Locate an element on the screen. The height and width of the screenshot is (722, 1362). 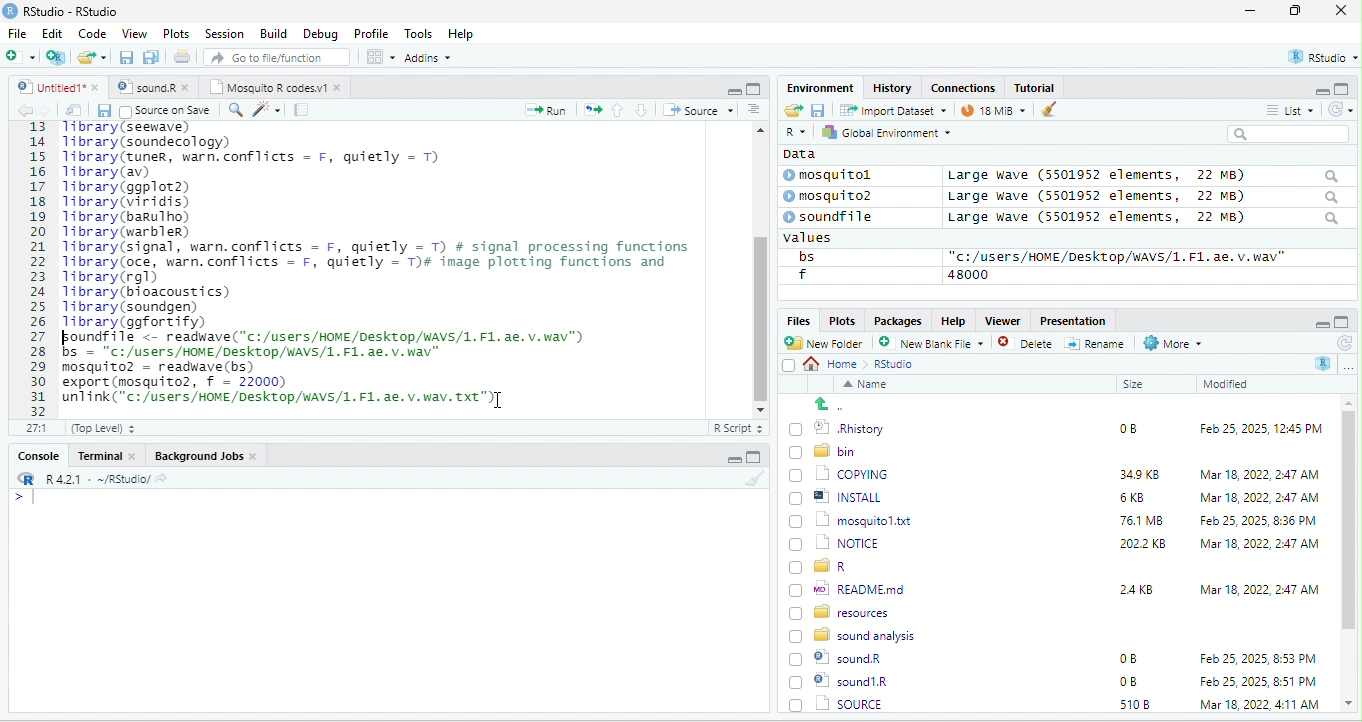
open is located at coordinates (792, 111).